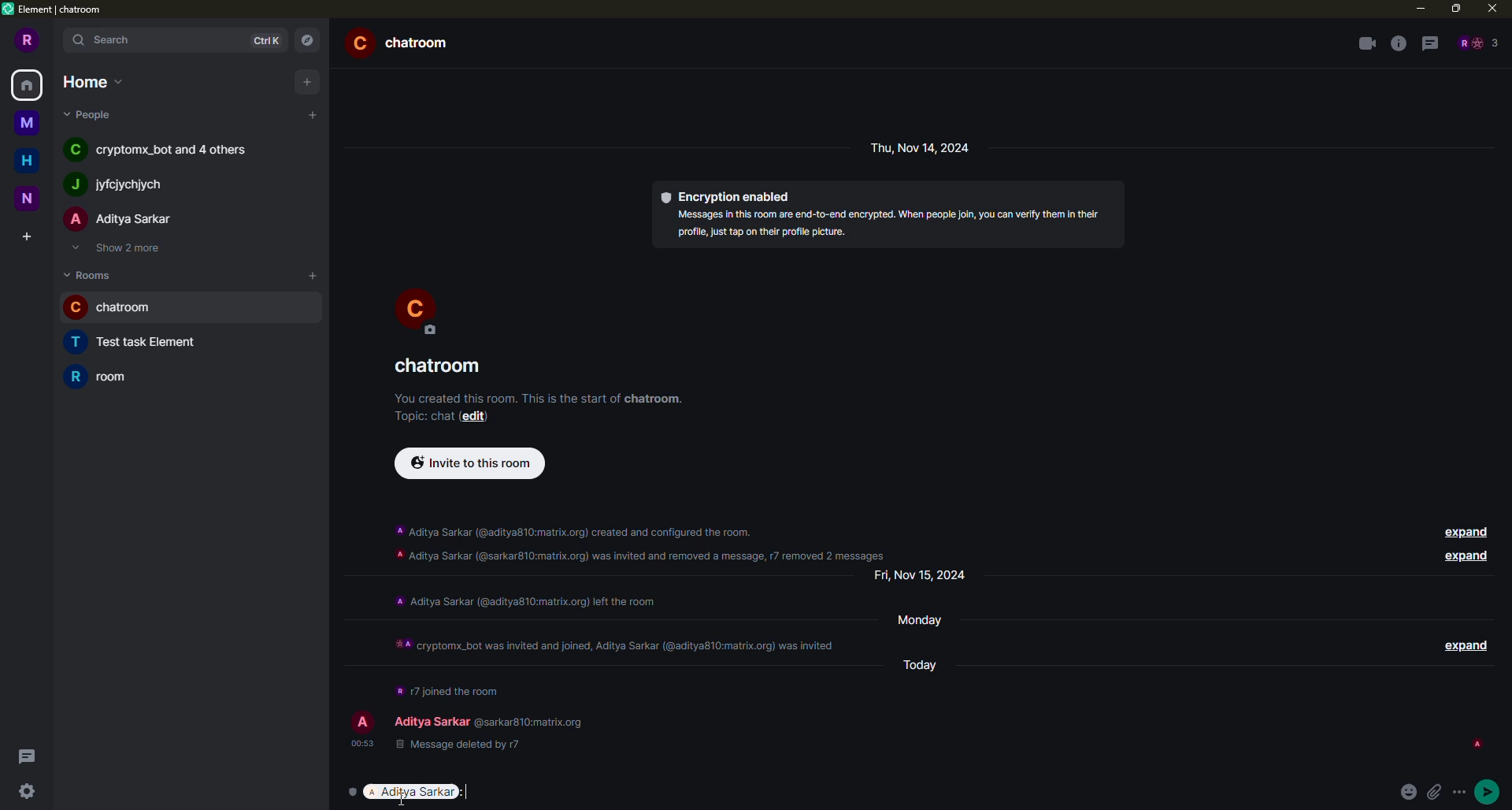 This screenshot has height=810, width=1512. What do you see at coordinates (417, 309) in the screenshot?
I see `profile` at bounding box center [417, 309].